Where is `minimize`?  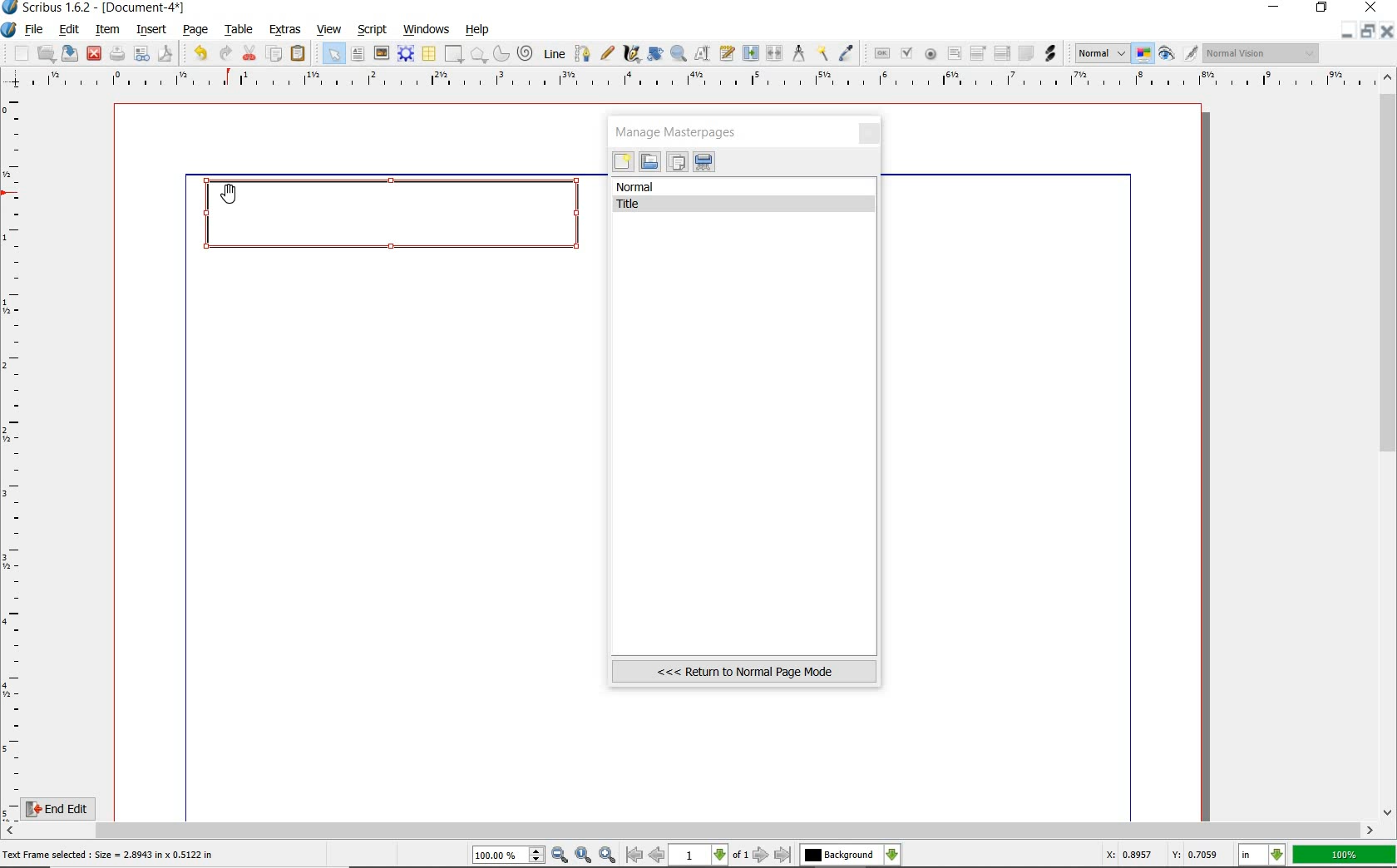 minimize is located at coordinates (1276, 8).